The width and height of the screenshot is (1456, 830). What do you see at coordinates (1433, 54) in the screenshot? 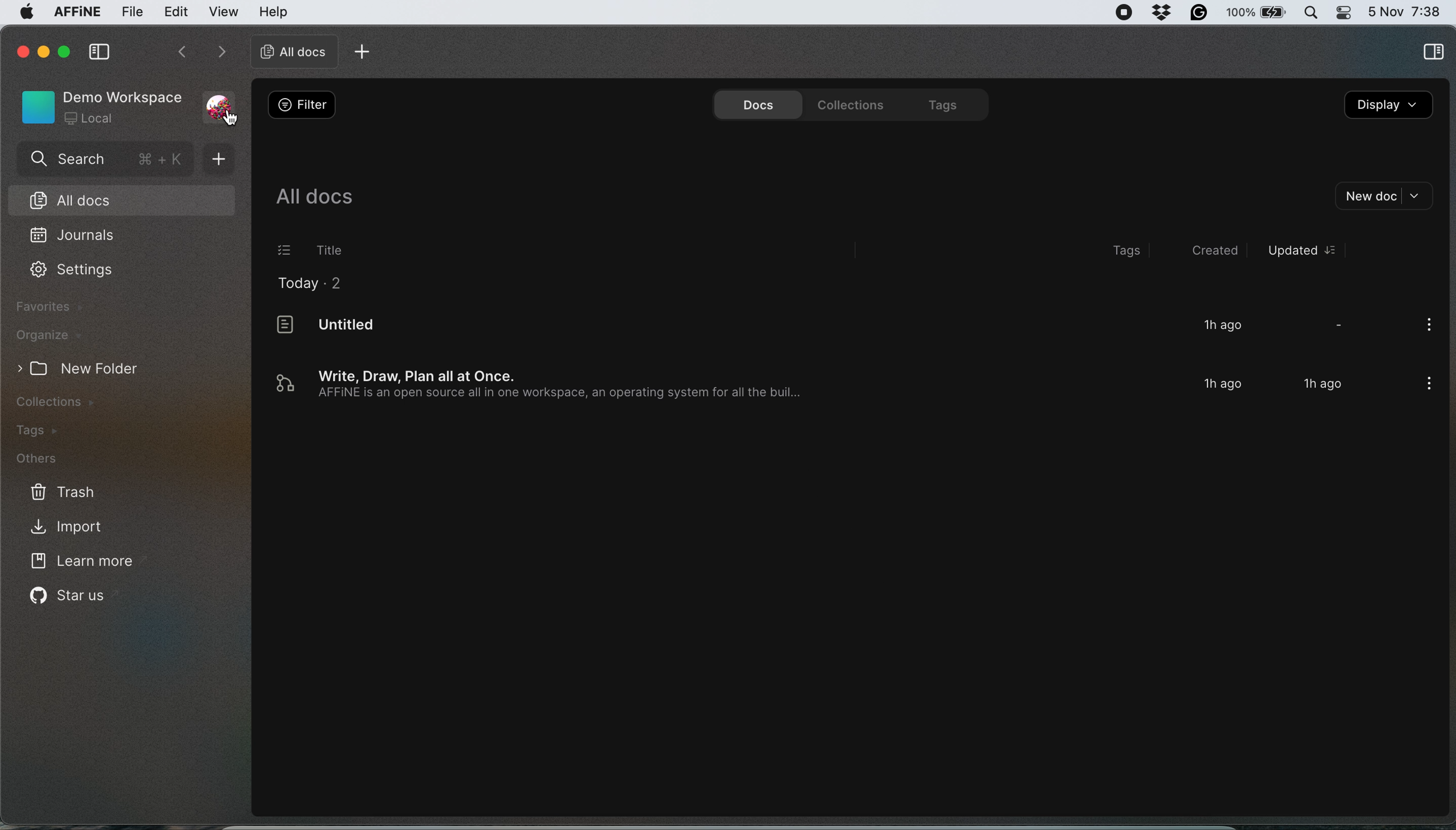
I see `sidebar` at bounding box center [1433, 54].